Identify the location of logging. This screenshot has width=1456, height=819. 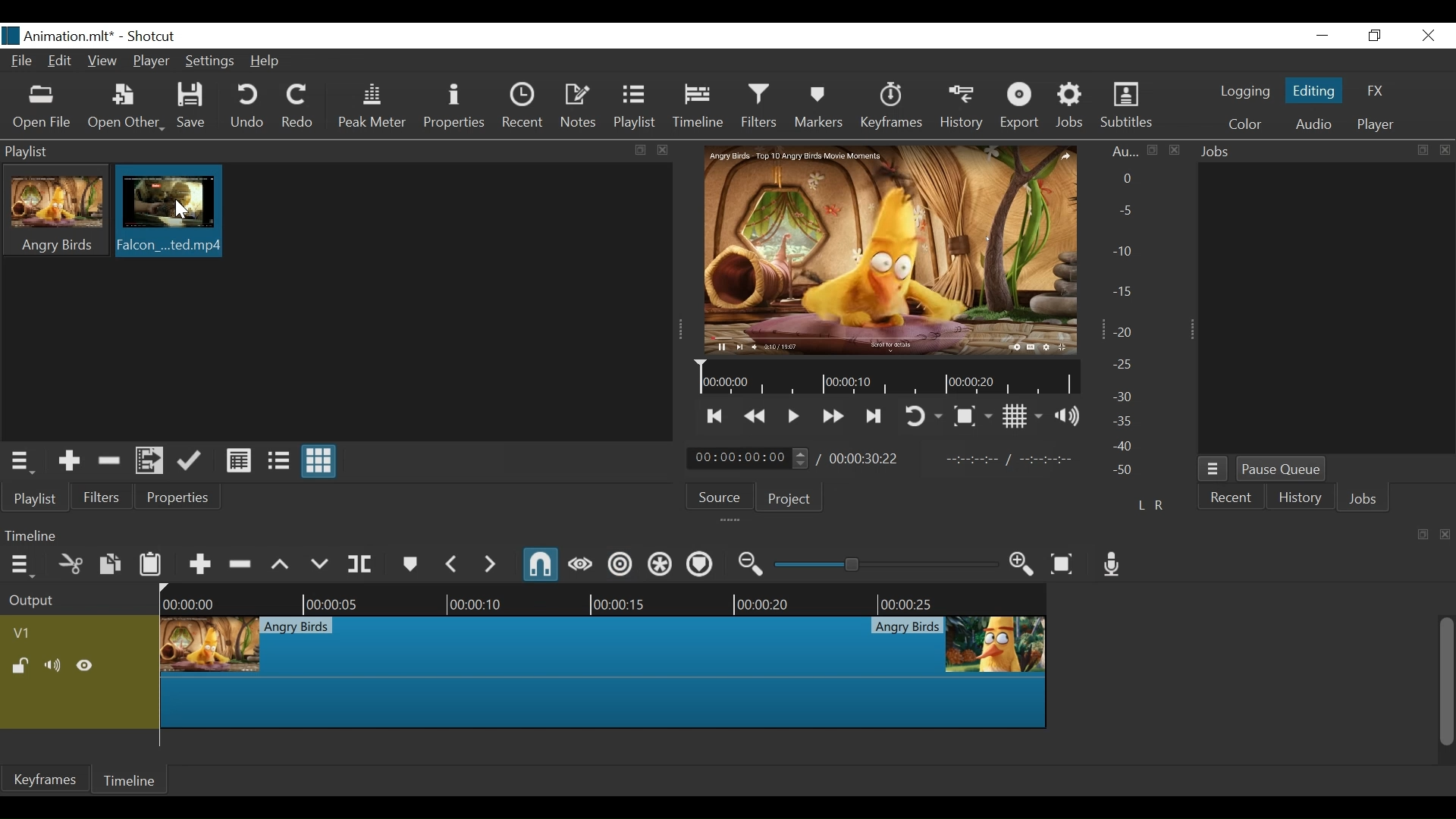
(1244, 93).